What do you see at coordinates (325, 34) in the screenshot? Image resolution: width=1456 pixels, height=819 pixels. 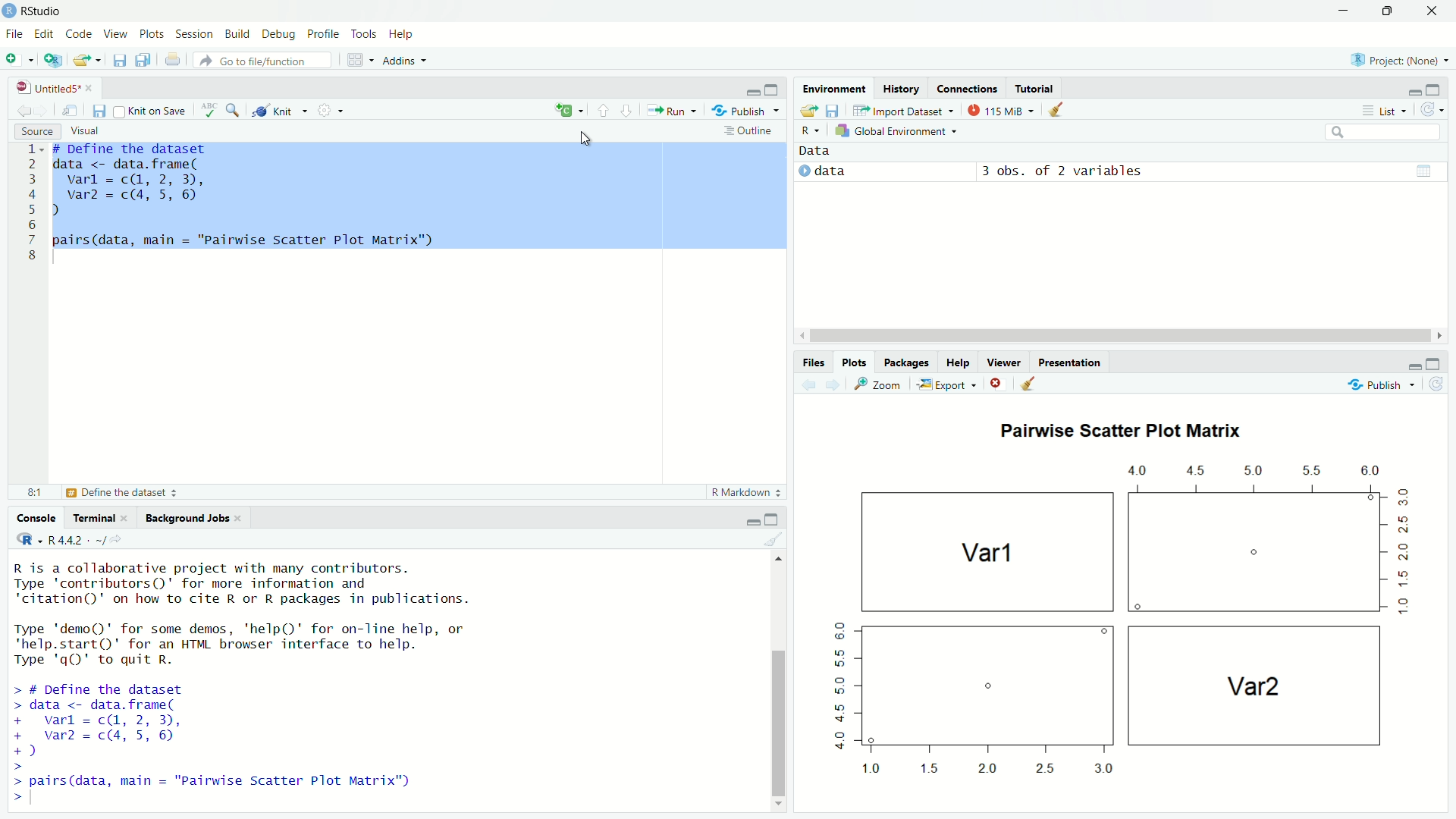 I see `Profile` at bounding box center [325, 34].